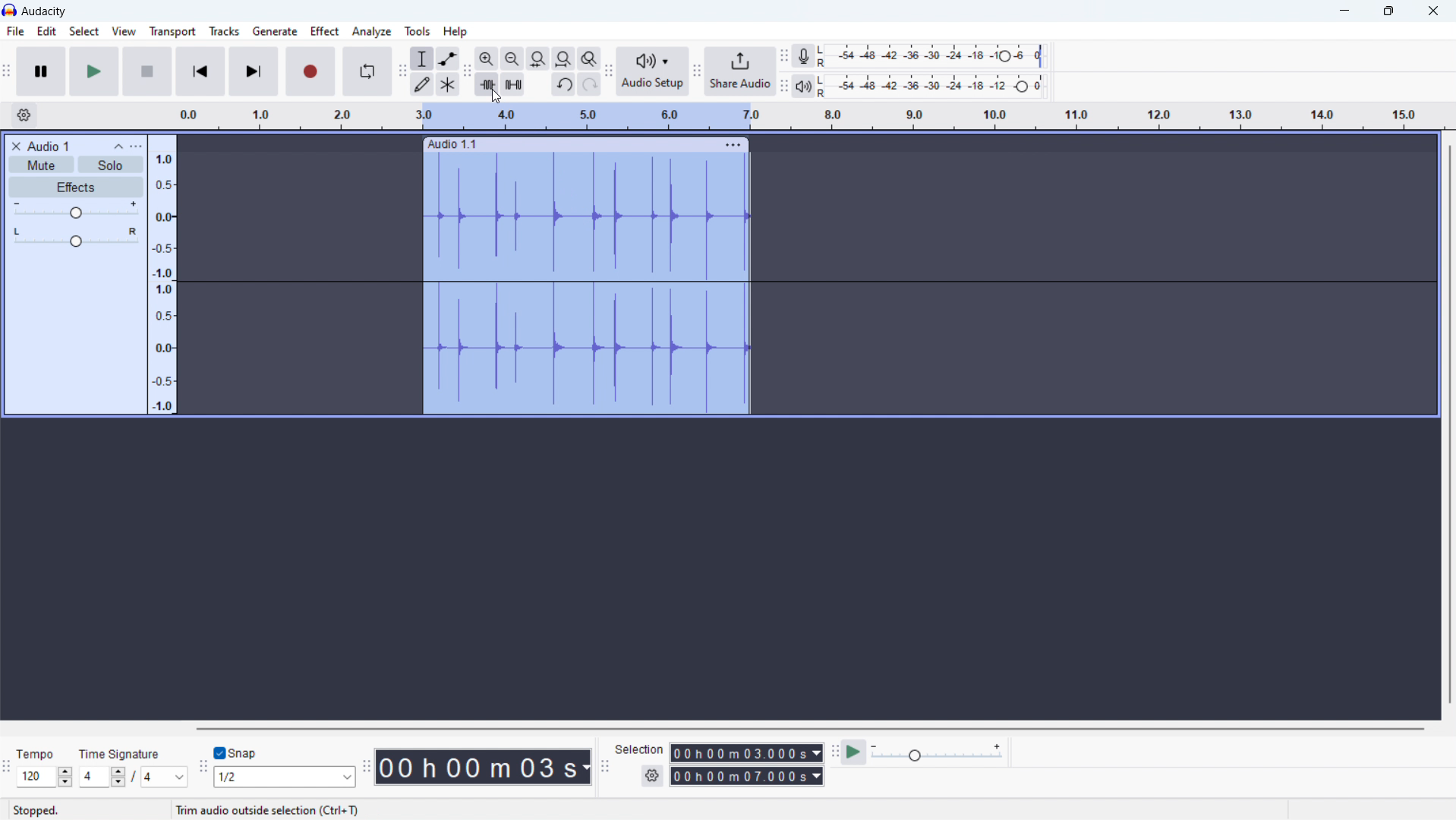 This screenshot has width=1456, height=820. Describe the element at coordinates (76, 237) in the screenshot. I see `pan: center` at that location.